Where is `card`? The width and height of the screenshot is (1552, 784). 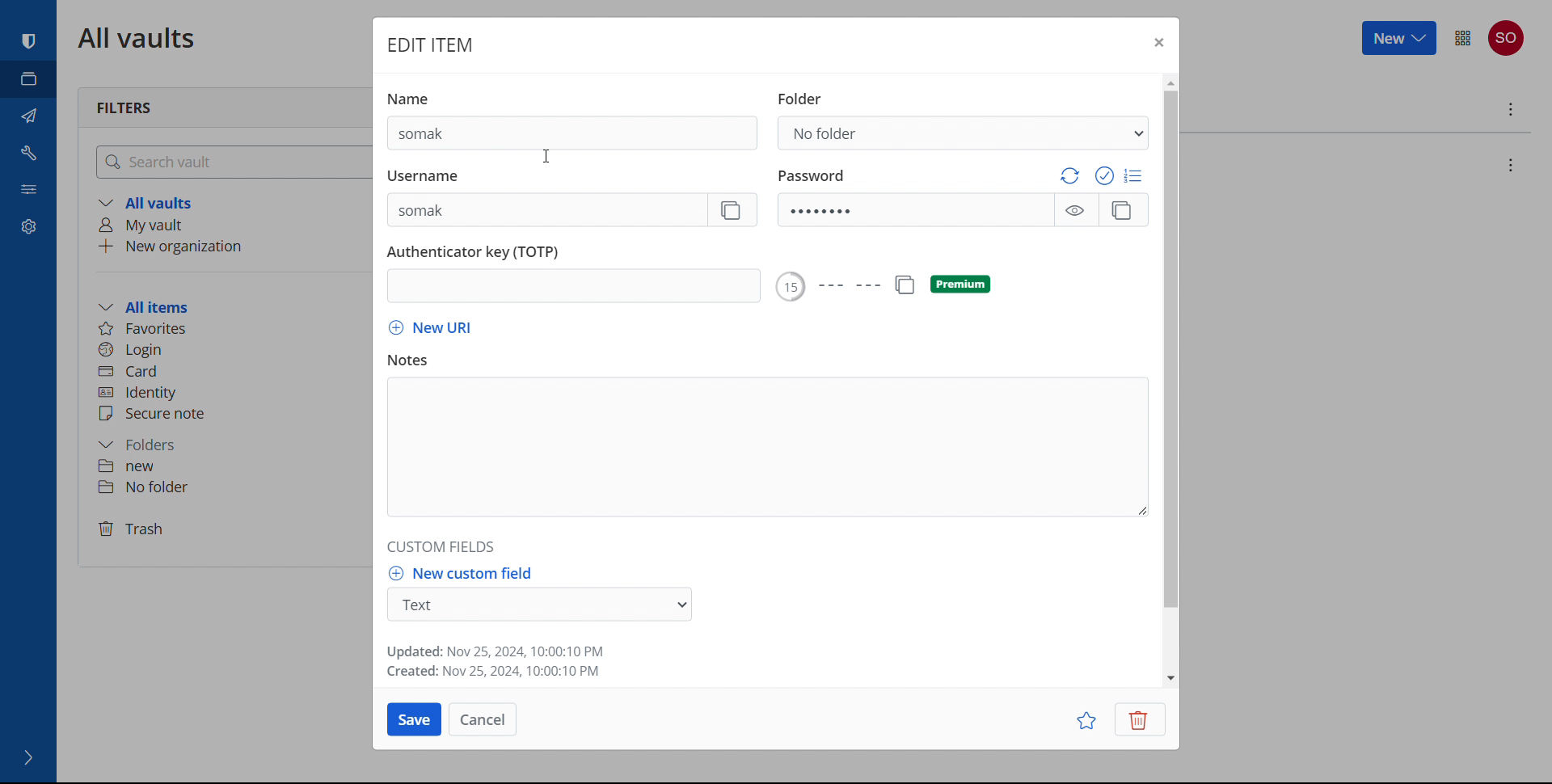 card is located at coordinates (232, 370).